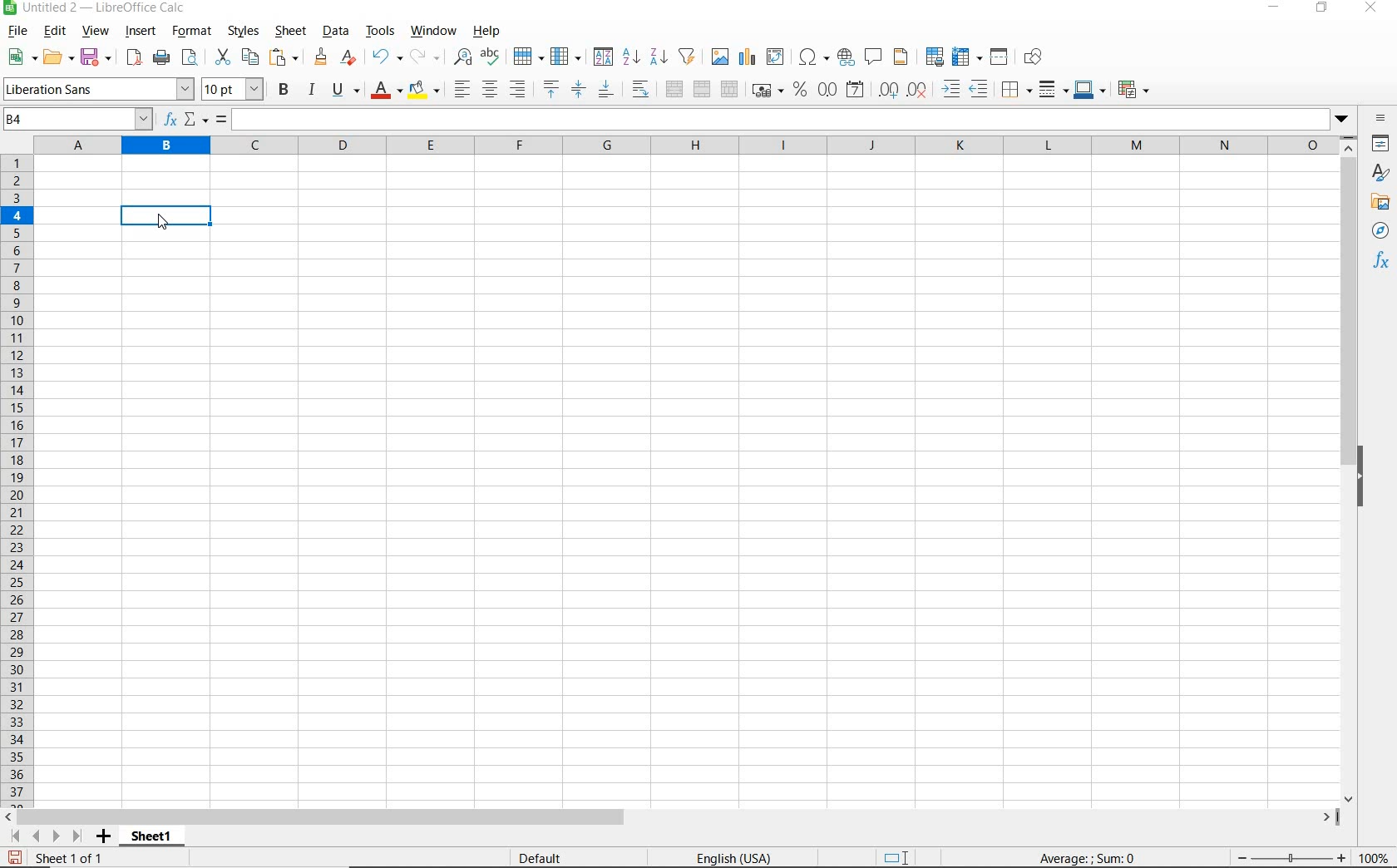  What do you see at coordinates (734, 857) in the screenshot?
I see `text language` at bounding box center [734, 857].